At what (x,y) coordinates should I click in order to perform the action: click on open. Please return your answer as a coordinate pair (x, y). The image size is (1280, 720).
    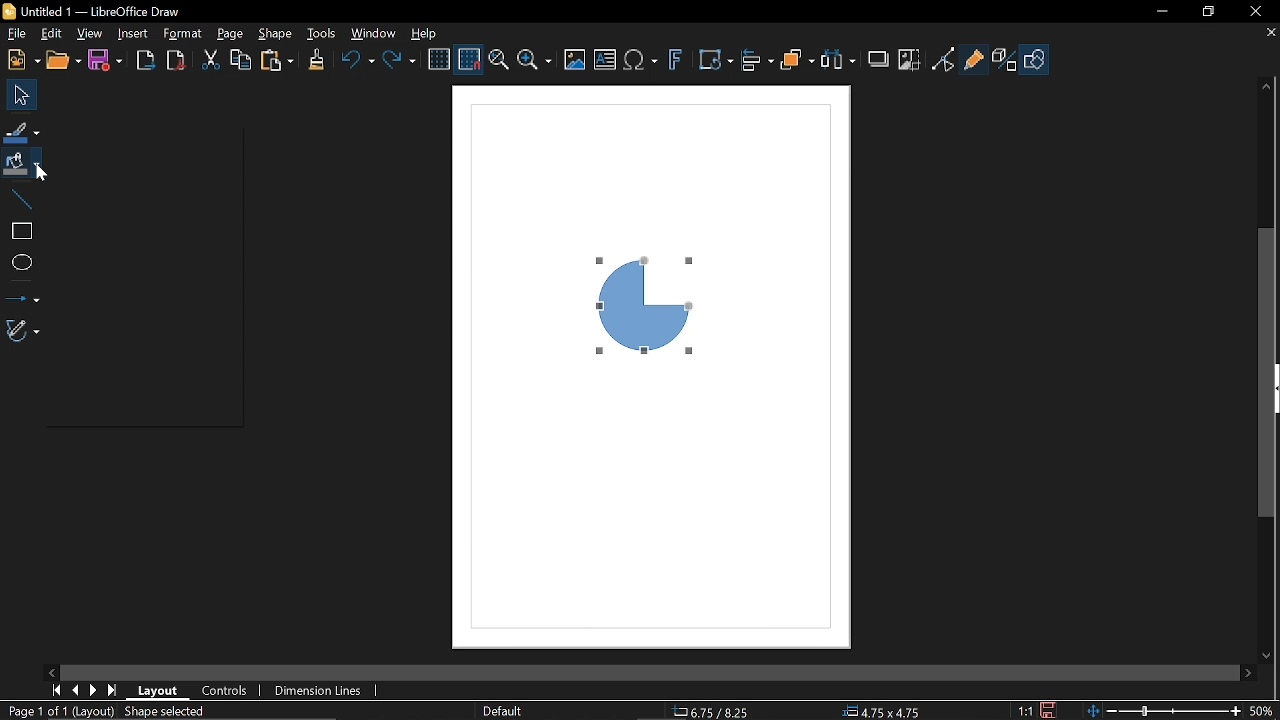
    Looking at the image, I should click on (63, 60).